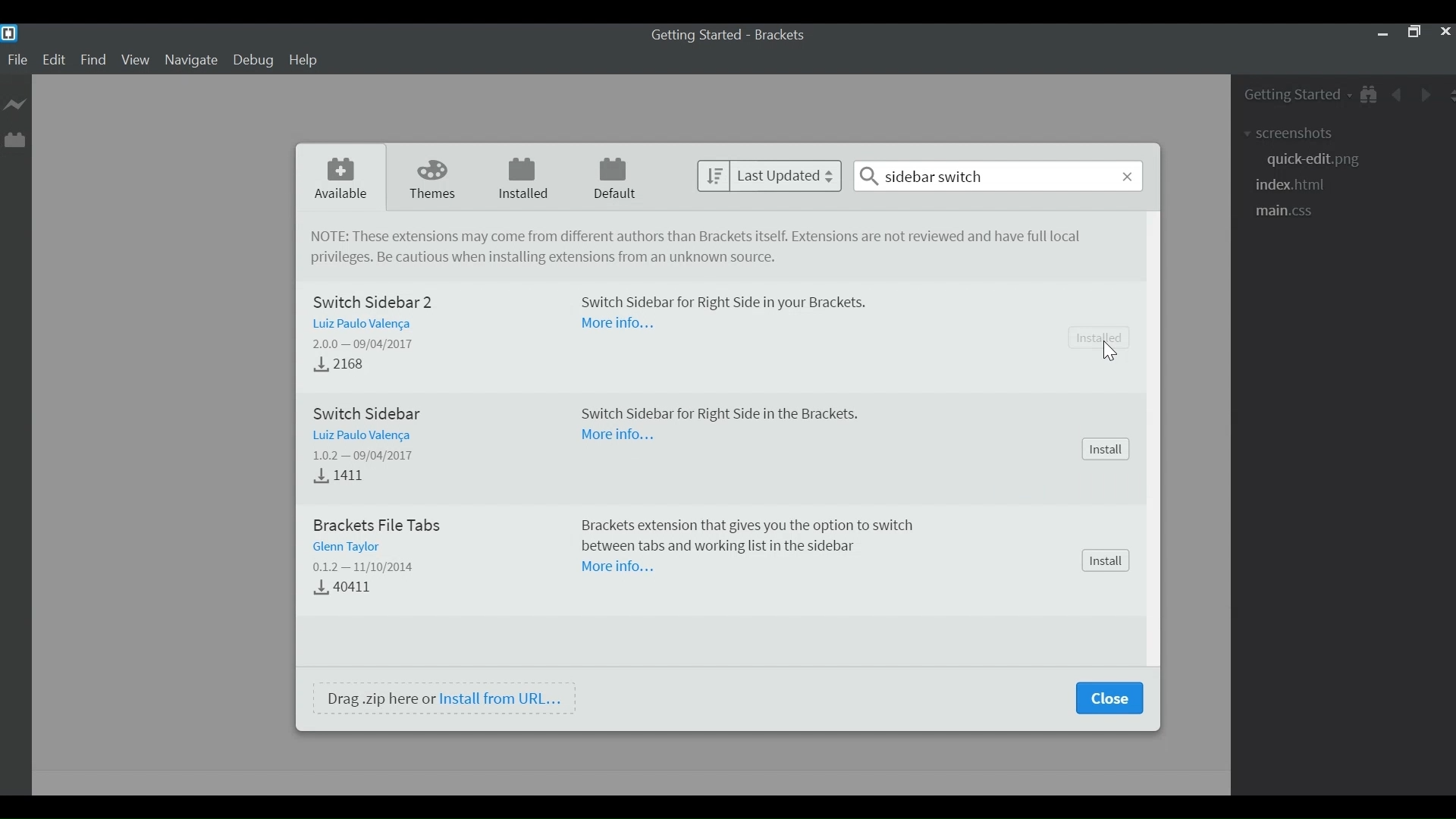  I want to click on Theme, so click(436, 178).